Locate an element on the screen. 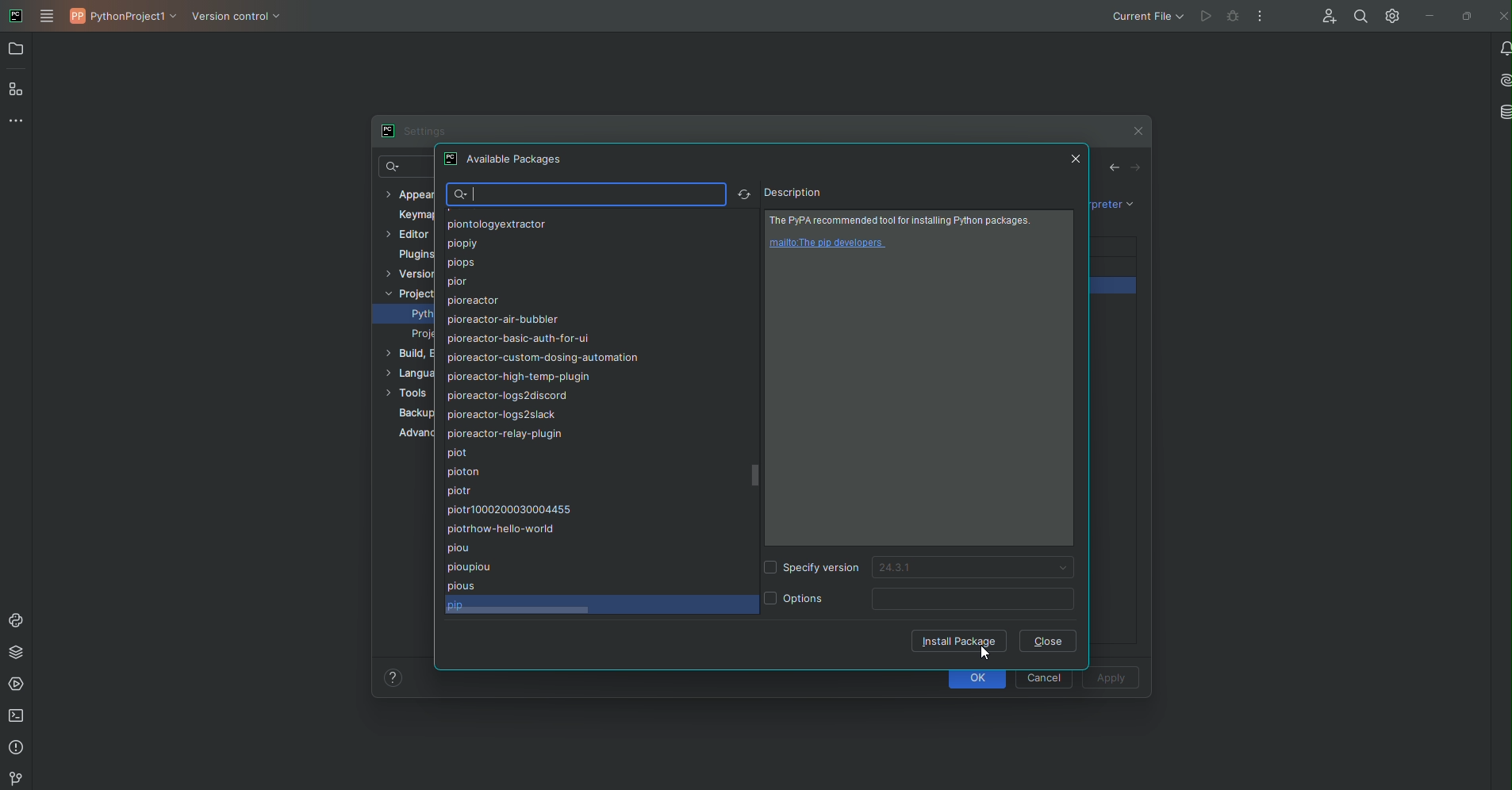  Close is located at coordinates (1049, 641).